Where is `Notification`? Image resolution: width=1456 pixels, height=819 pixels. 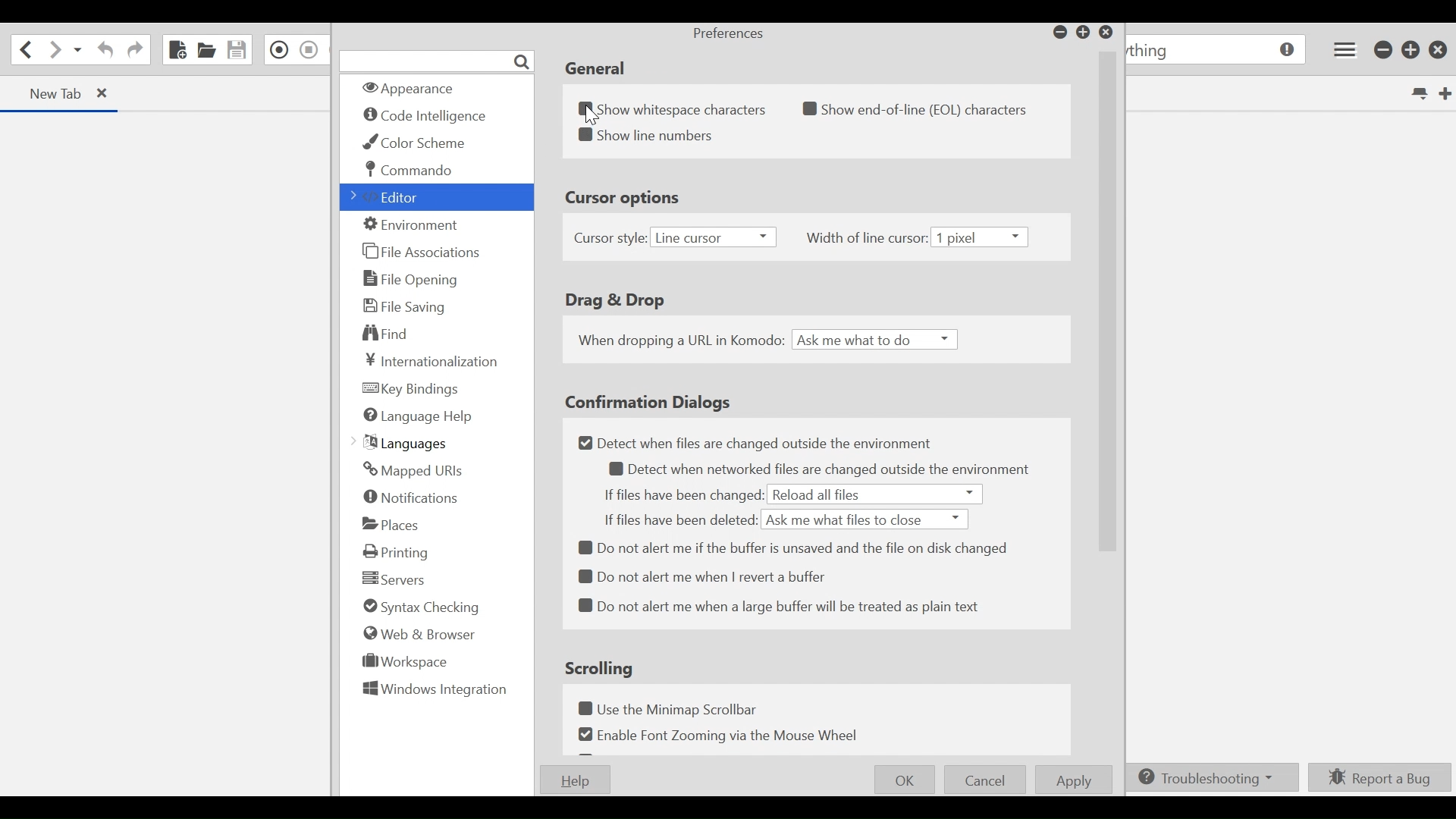 Notification is located at coordinates (408, 496).